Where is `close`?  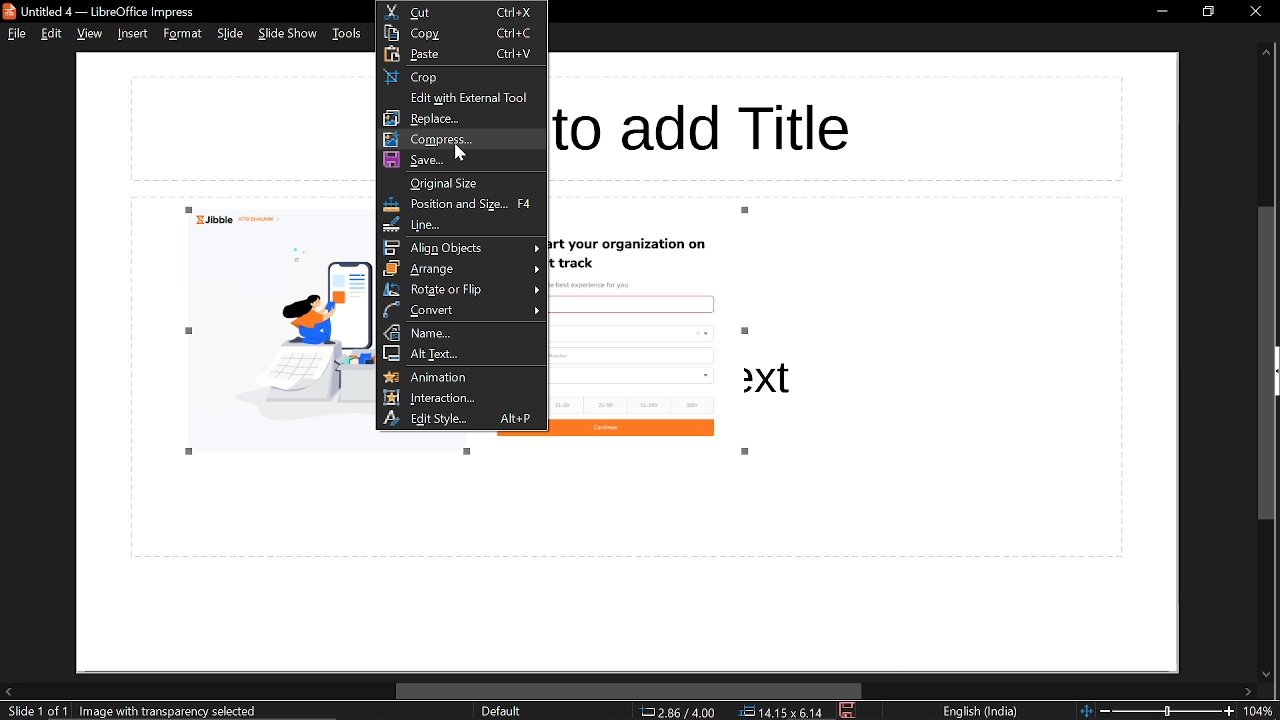
close is located at coordinates (1255, 11).